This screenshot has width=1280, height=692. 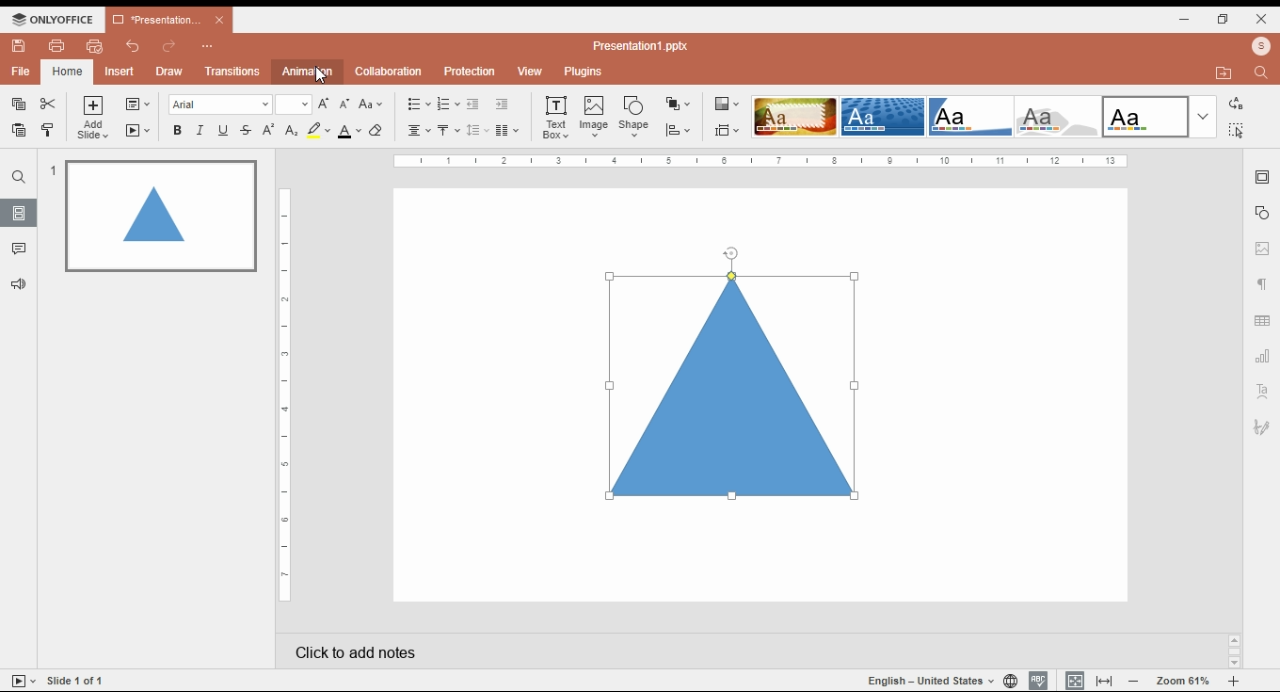 What do you see at coordinates (20, 213) in the screenshot?
I see `slides` at bounding box center [20, 213].